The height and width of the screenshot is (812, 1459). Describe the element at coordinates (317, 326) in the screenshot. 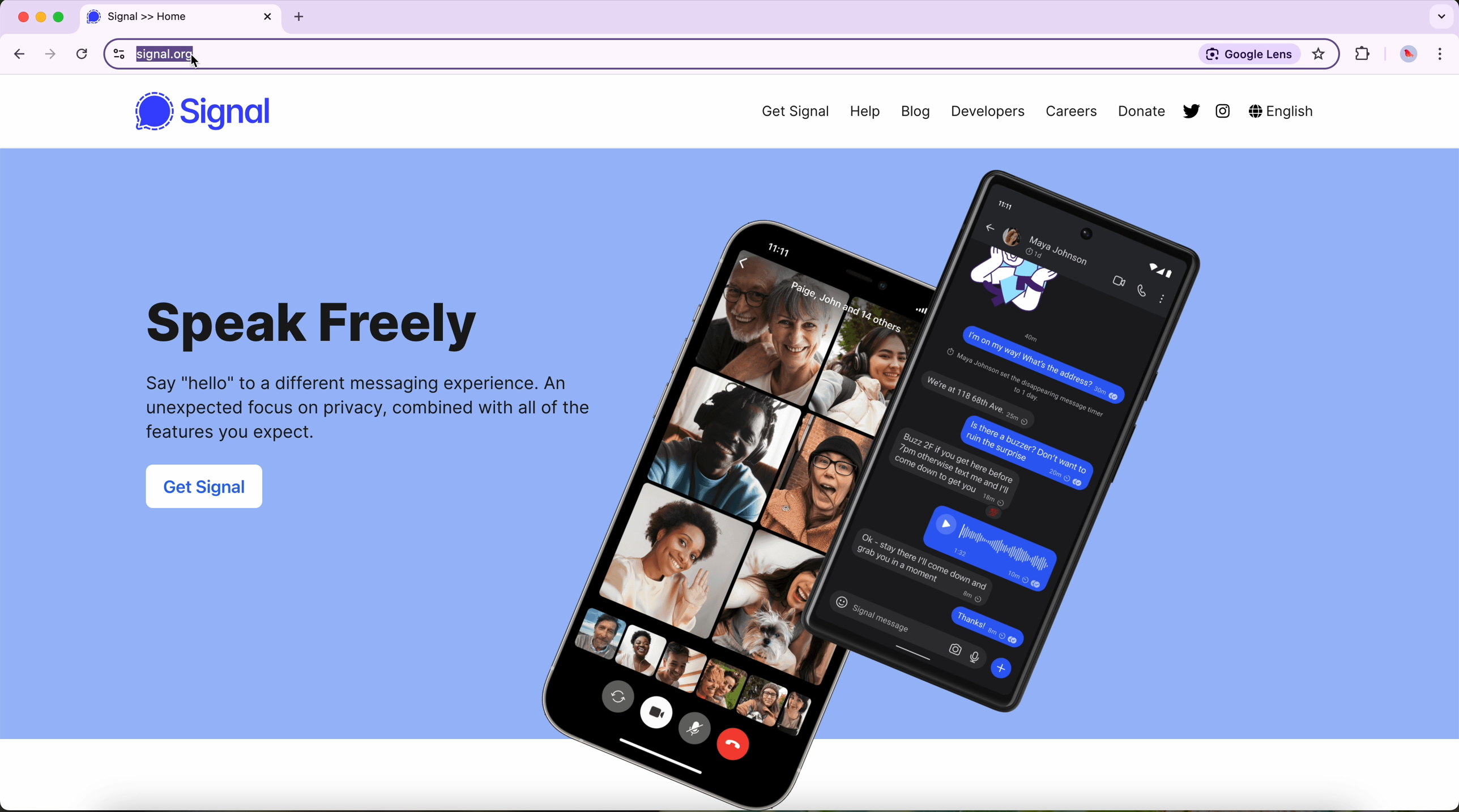

I see `Speak Freely` at that location.